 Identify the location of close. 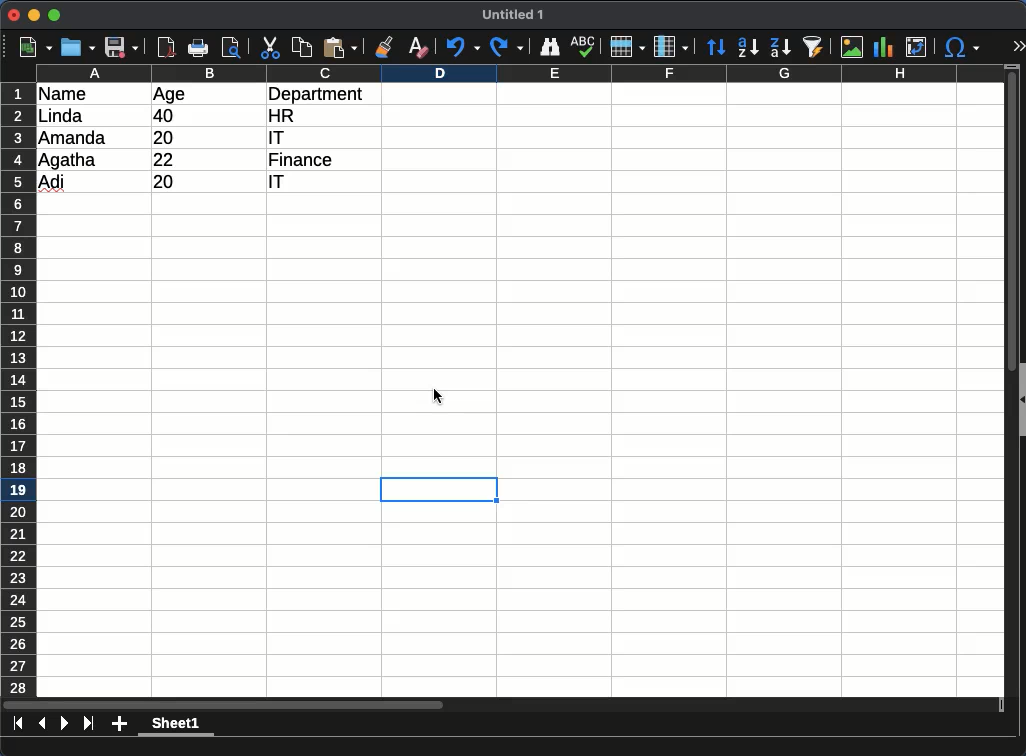
(14, 16).